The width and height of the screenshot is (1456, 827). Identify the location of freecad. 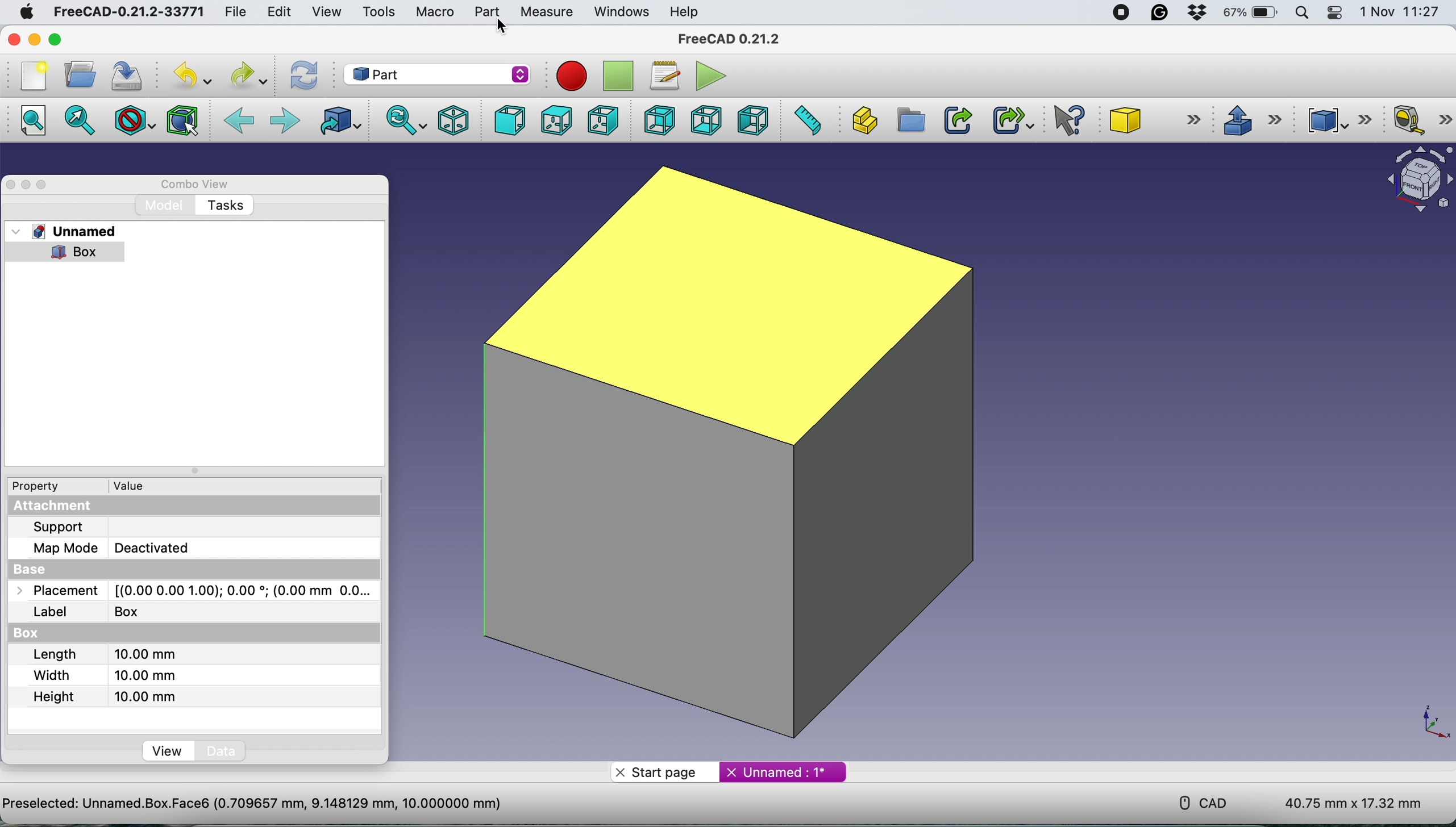
(738, 40).